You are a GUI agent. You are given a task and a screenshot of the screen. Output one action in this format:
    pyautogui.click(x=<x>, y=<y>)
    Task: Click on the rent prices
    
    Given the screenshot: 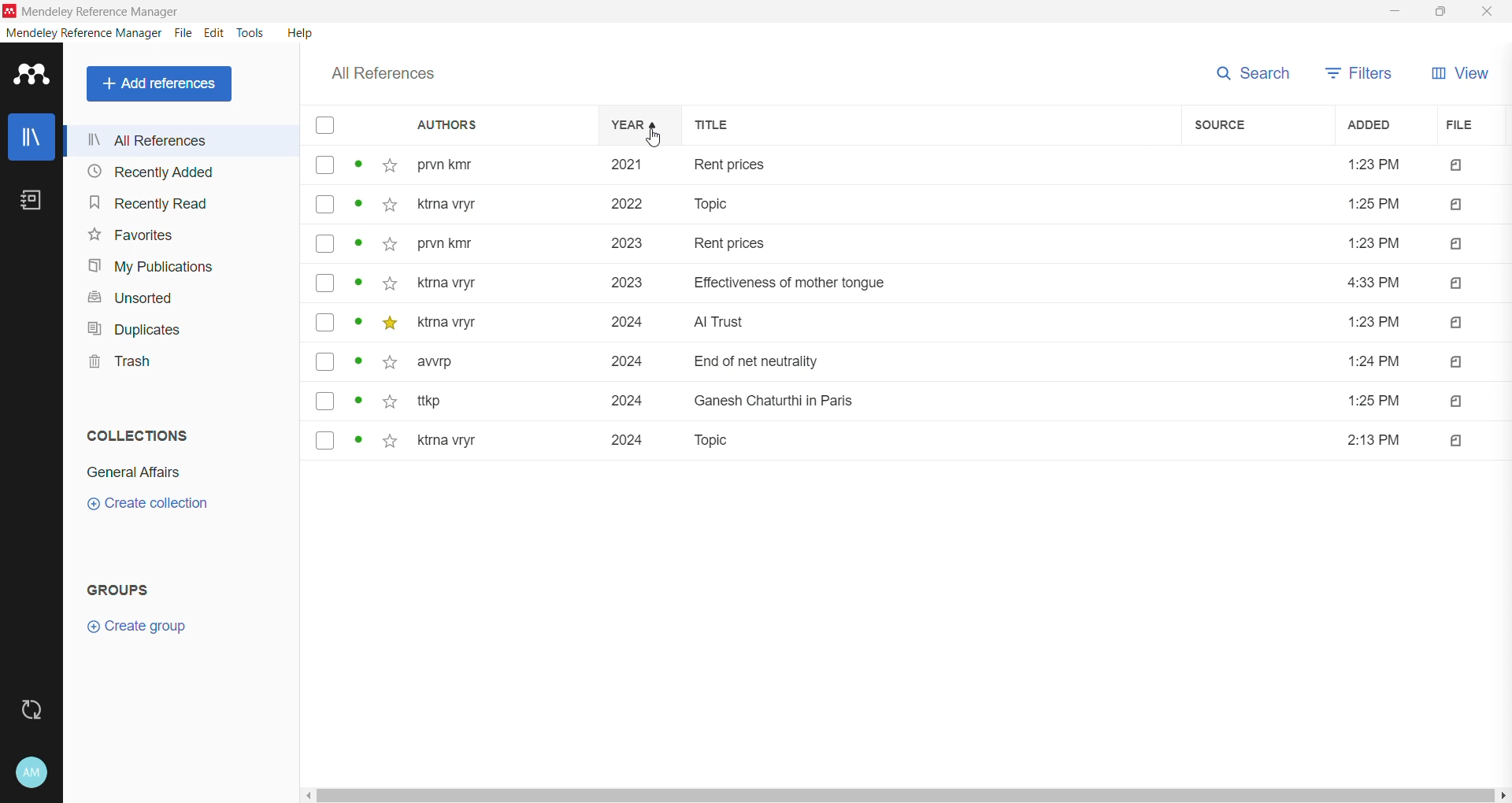 What is the action you would take?
    pyautogui.click(x=735, y=166)
    